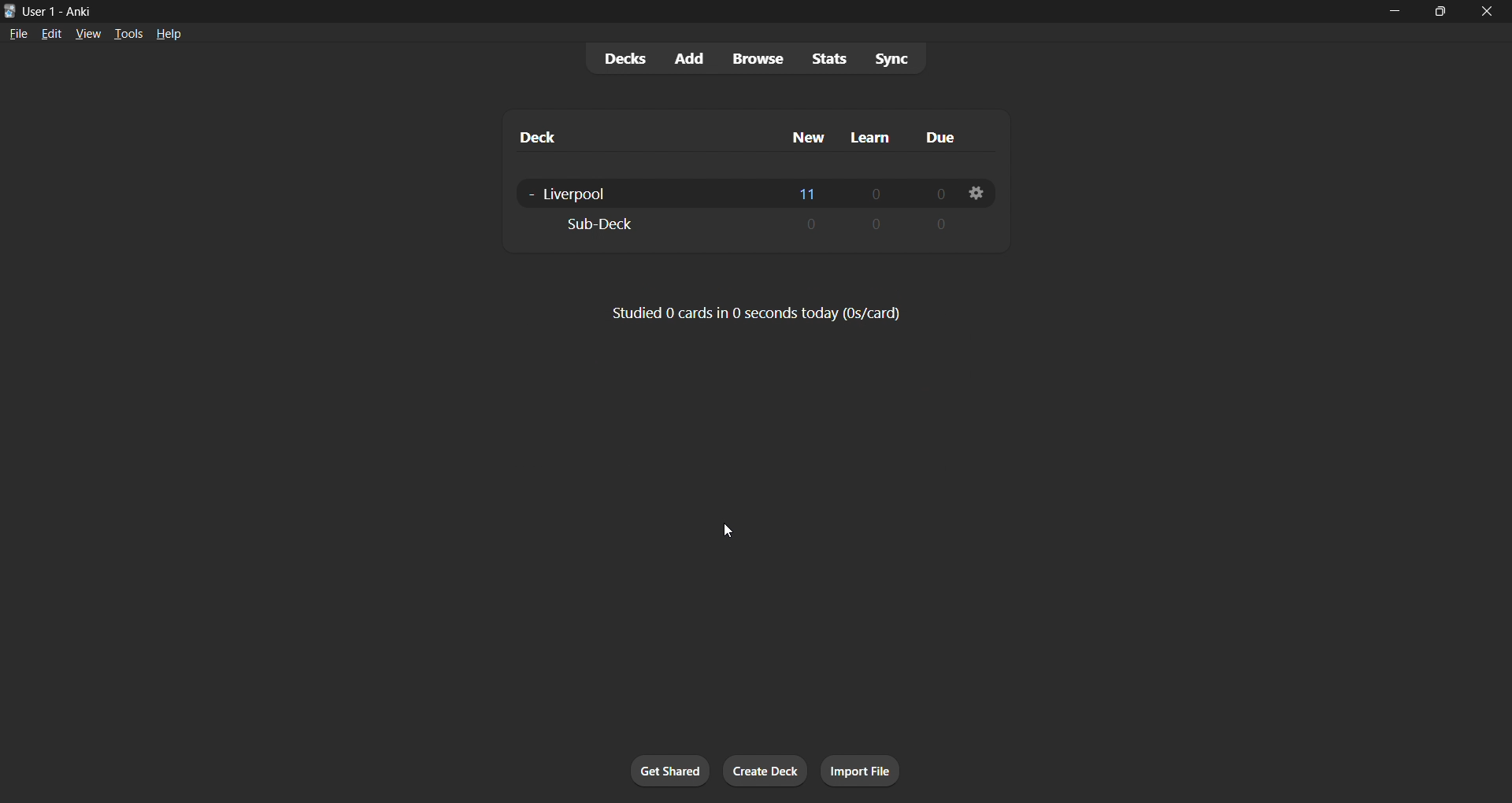  What do you see at coordinates (949, 139) in the screenshot?
I see `due column` at bounding box center [949, 139].